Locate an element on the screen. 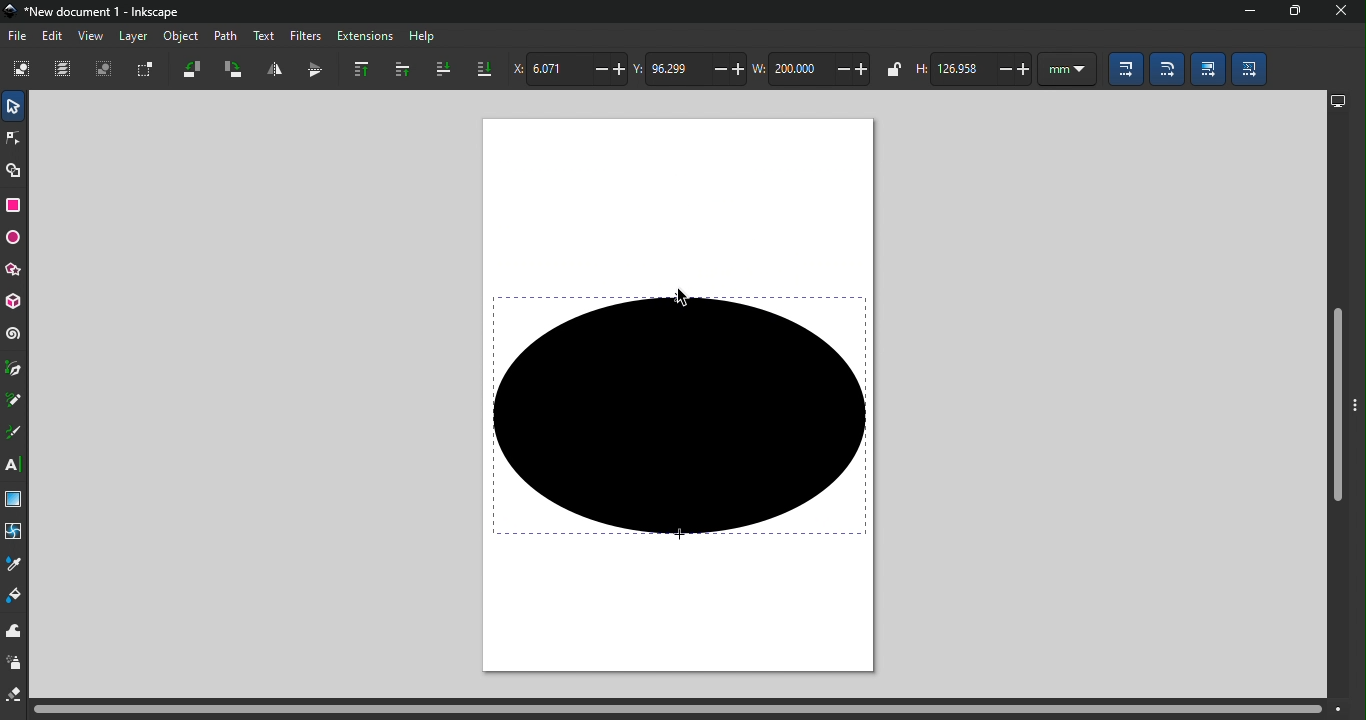 The image size is (1366, 720). Vertical coordinate of selection is located at coordinates (692, 69).